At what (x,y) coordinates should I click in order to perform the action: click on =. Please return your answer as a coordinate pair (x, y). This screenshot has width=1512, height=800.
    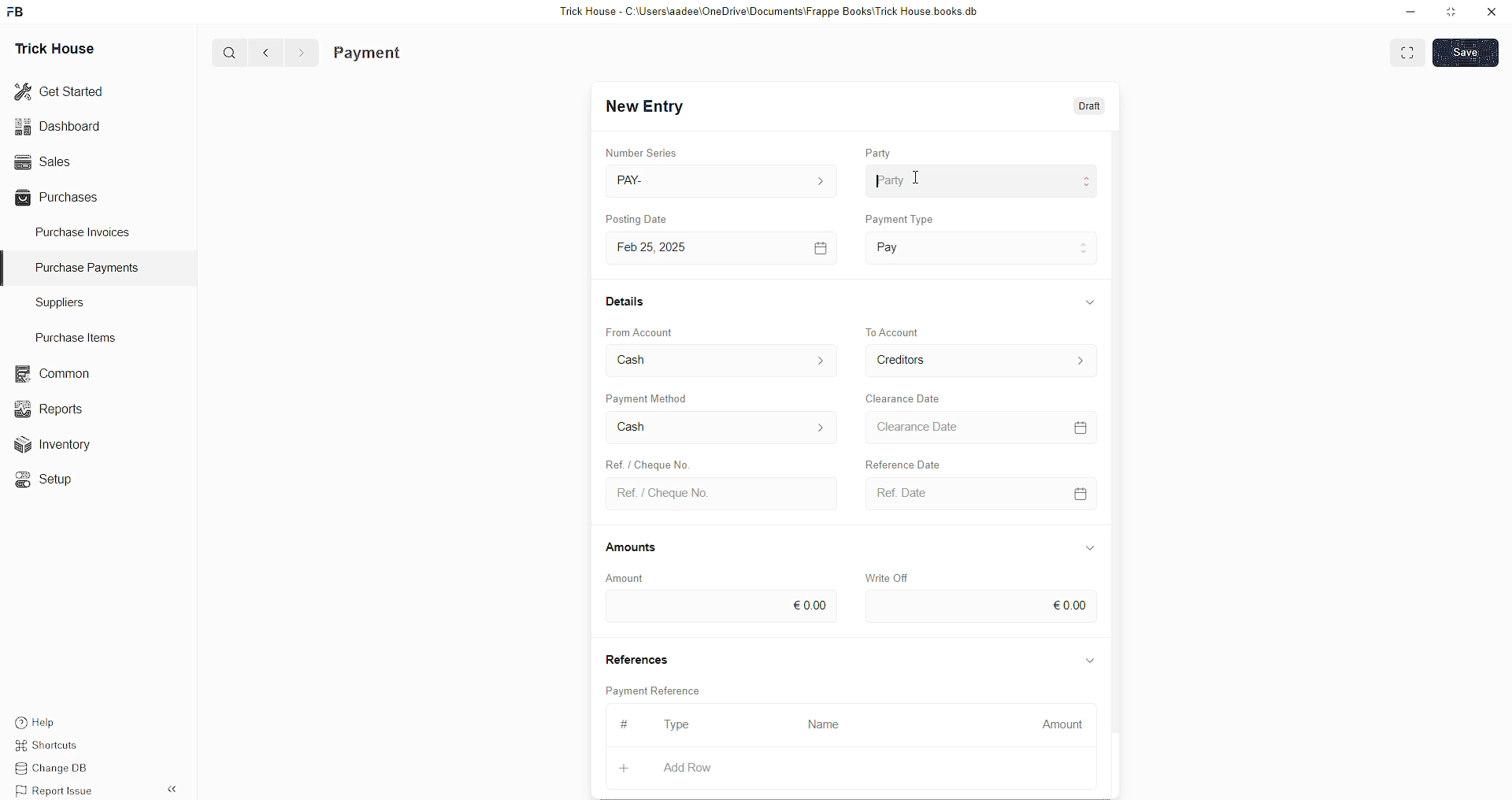
    Looking at the image, I should click on (1084, 425).